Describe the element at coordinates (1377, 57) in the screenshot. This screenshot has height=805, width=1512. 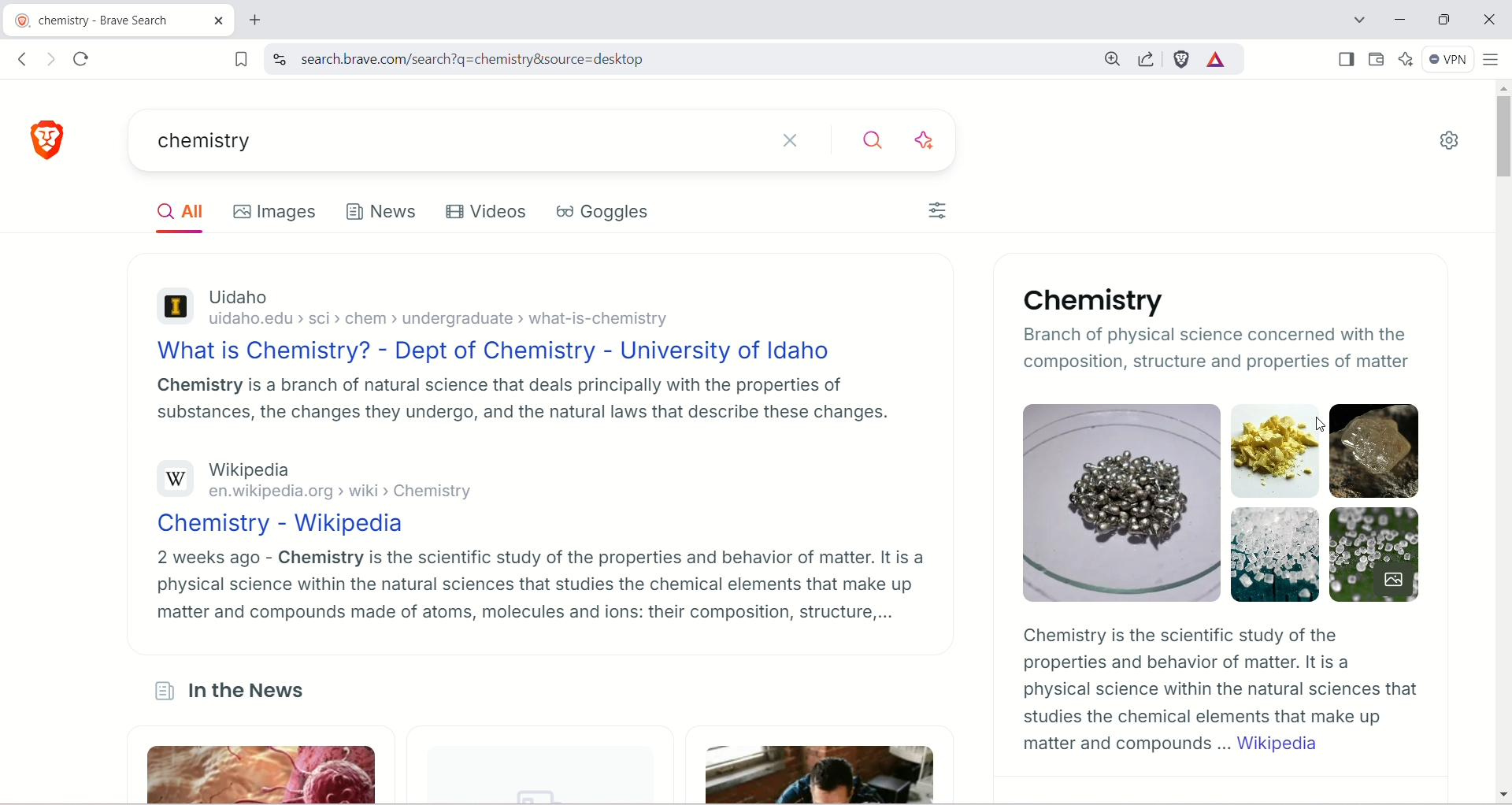
I see `wallet` at that location.